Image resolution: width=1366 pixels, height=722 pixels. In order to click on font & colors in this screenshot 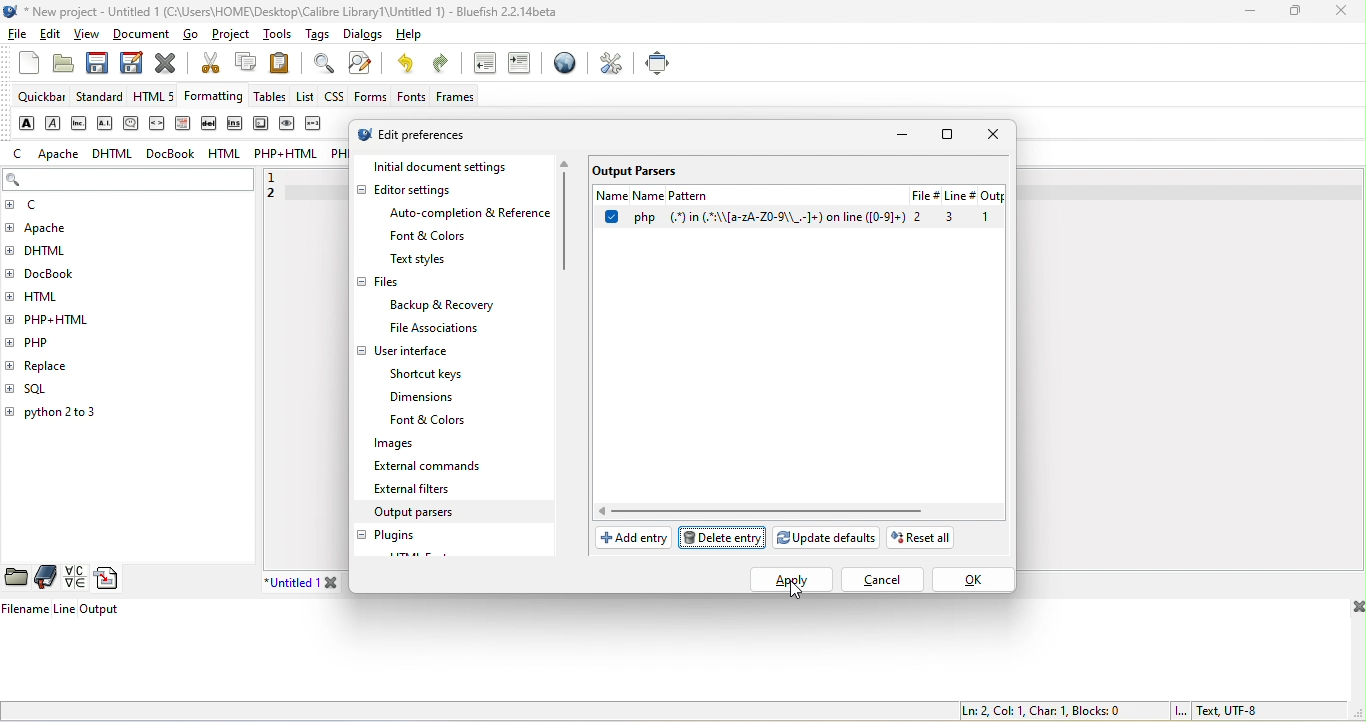, I will do `click(439, 421)`.